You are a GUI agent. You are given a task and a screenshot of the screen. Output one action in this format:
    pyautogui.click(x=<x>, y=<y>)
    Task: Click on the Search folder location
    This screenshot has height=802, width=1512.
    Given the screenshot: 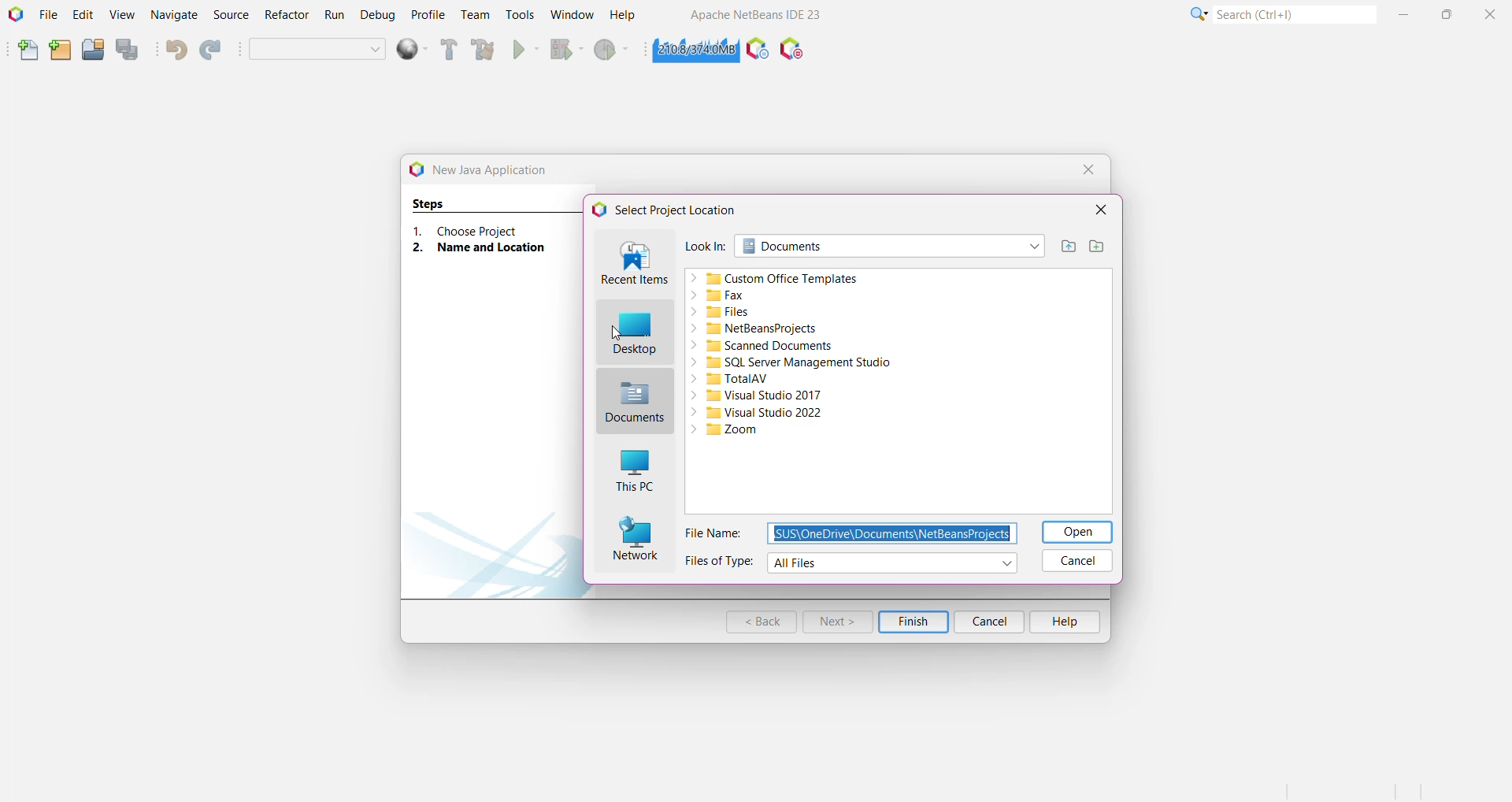 What is the action you would take?
    pyautogui.click(x=891, y=245)
    